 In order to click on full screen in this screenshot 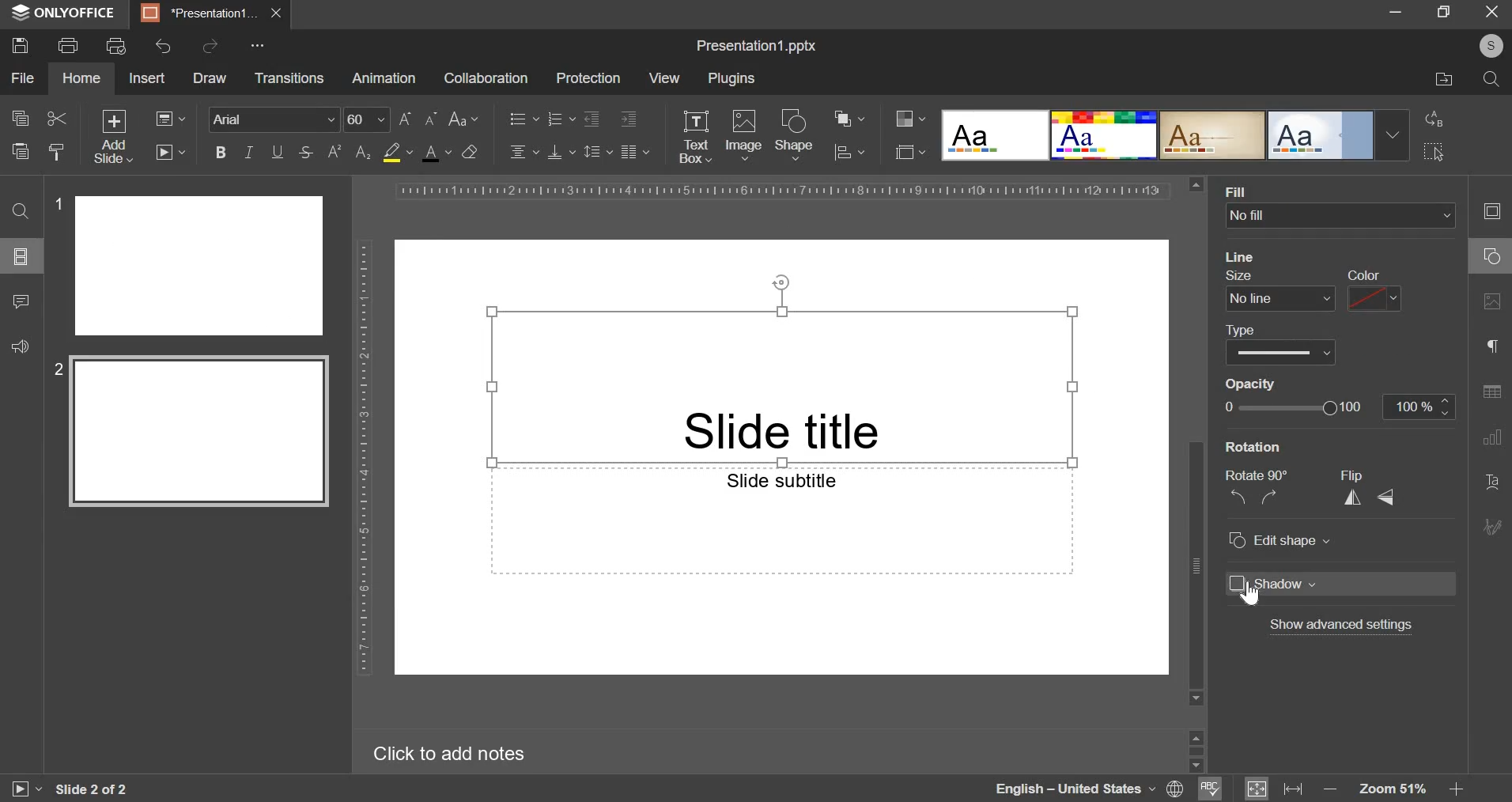, I will do `click(1450, 13)`.